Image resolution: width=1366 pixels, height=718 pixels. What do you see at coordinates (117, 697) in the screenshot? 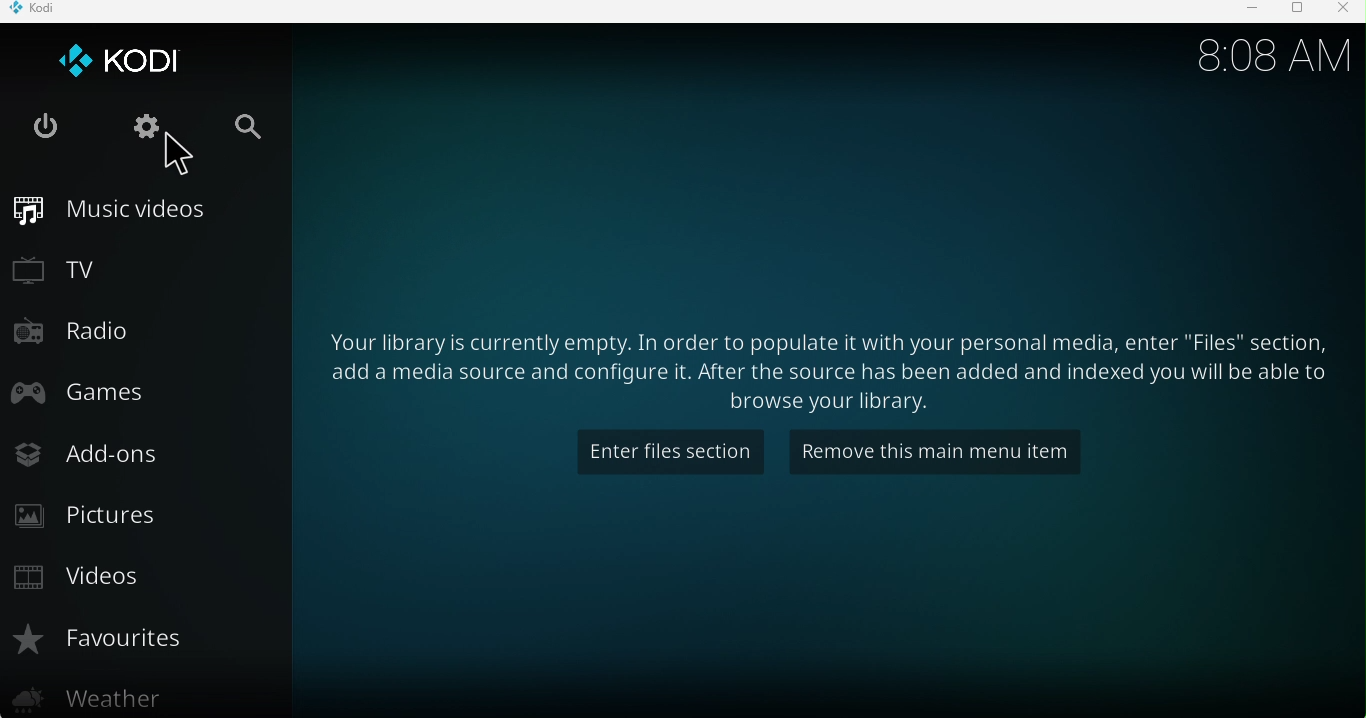
I see `Weather` at bounding box center [117, 697].